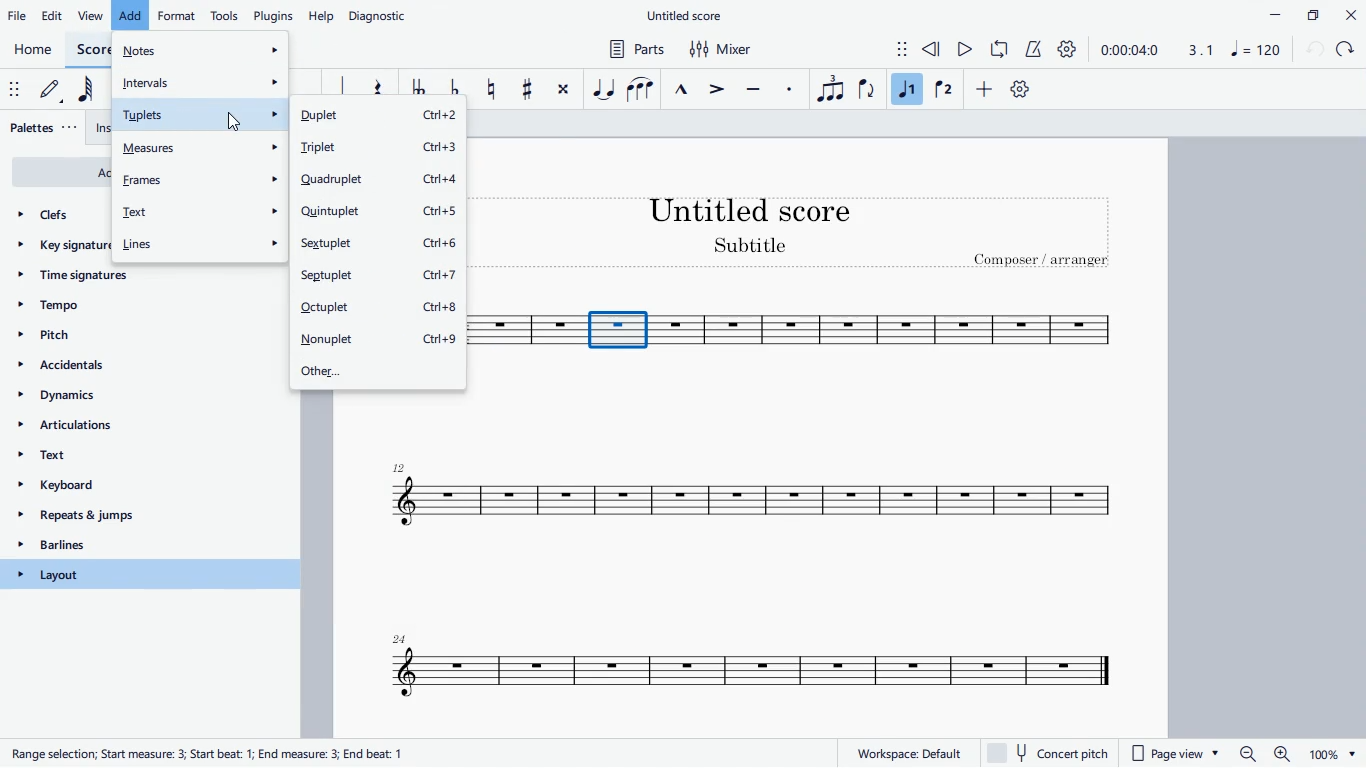 This screenshot has width=1366, height=768. What do you see at coordinates (226, 14) in the screenshot?
I see `tools` at bounding box center [226, 14].